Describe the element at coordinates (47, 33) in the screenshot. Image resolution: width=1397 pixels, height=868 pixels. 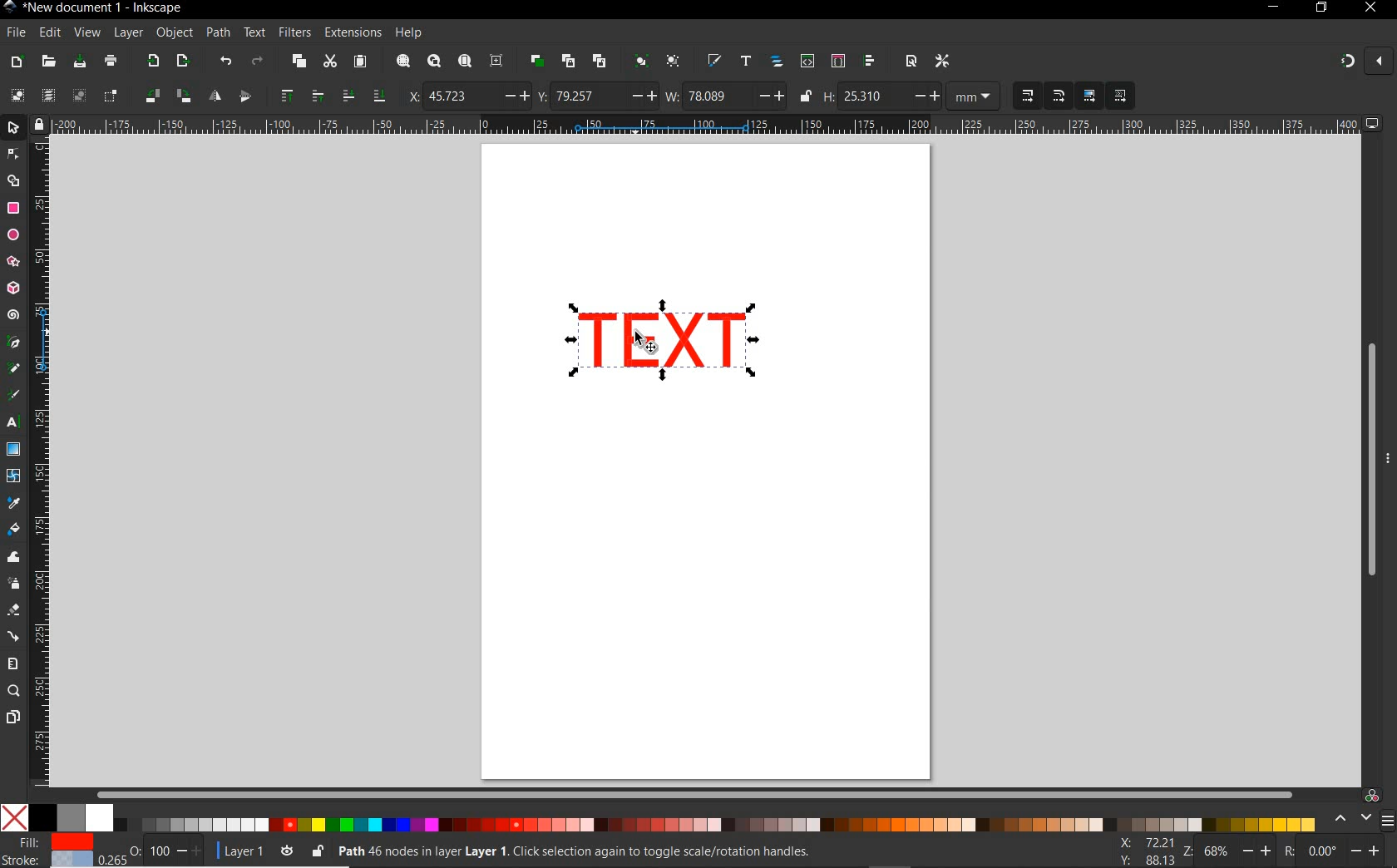
I see `EDIT` at that location.